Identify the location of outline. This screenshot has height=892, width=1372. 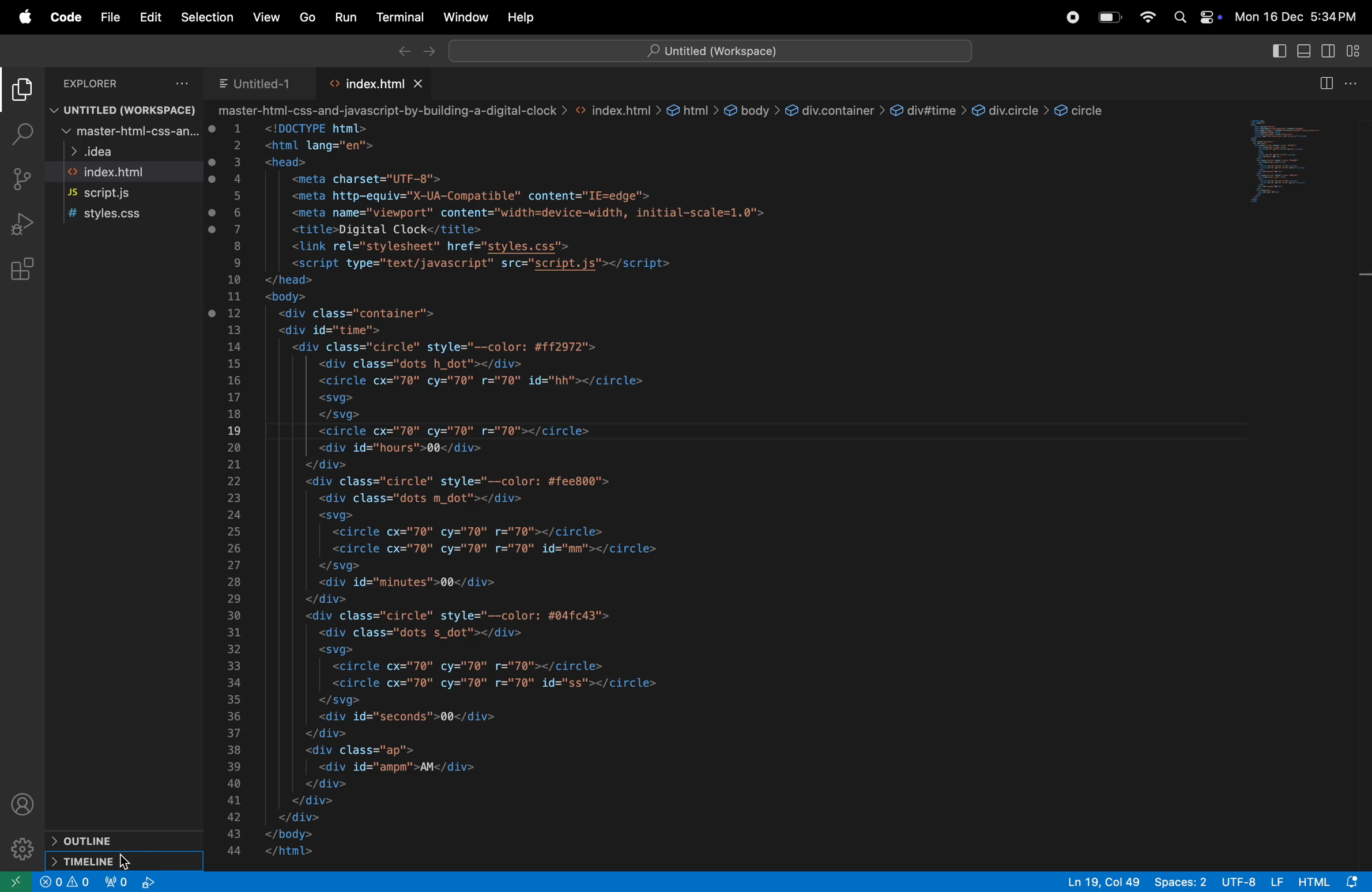
(80, 842).